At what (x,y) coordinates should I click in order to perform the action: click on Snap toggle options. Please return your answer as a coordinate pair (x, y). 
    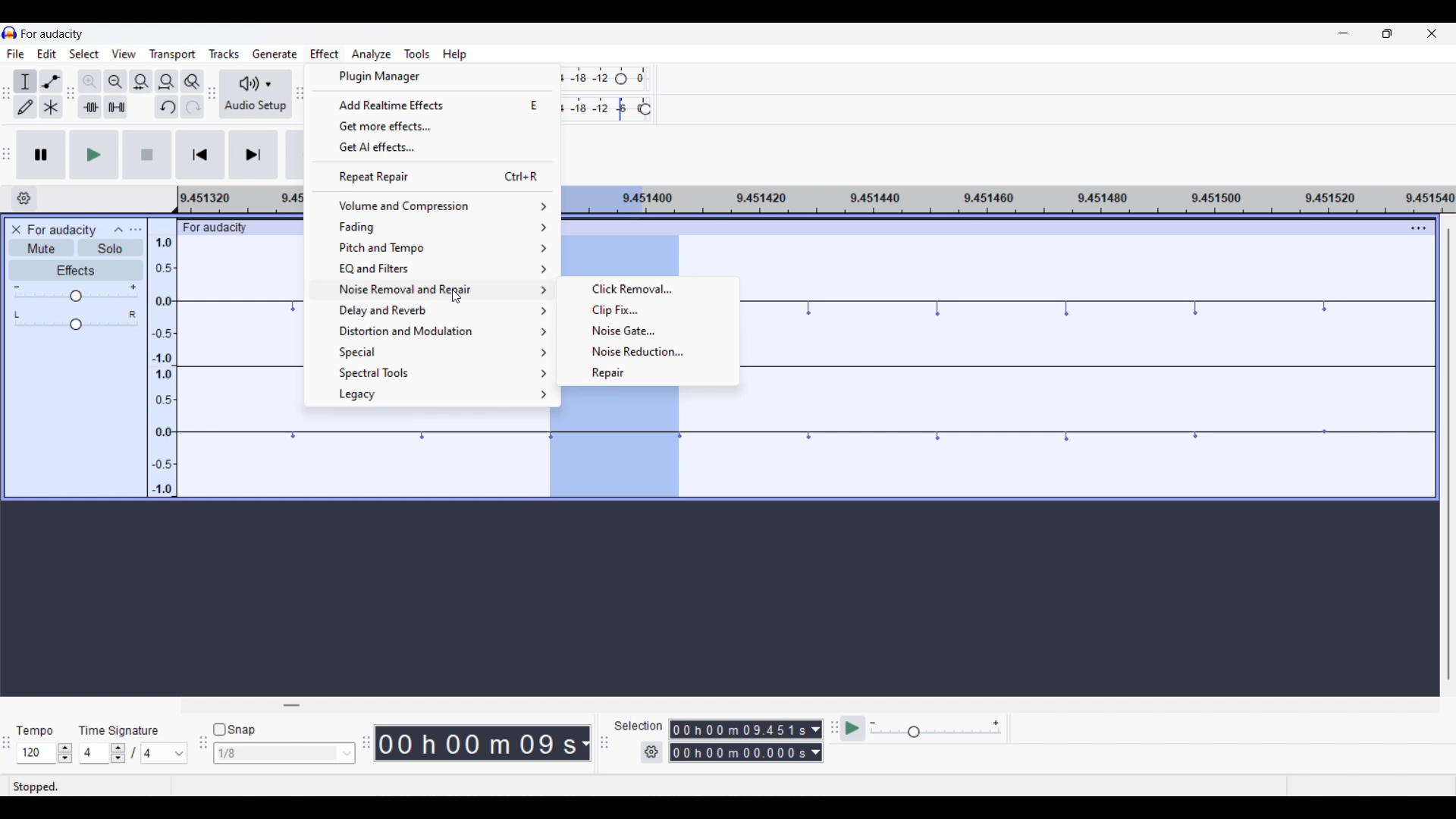
    Looking at the image, I should click on (284, 753).